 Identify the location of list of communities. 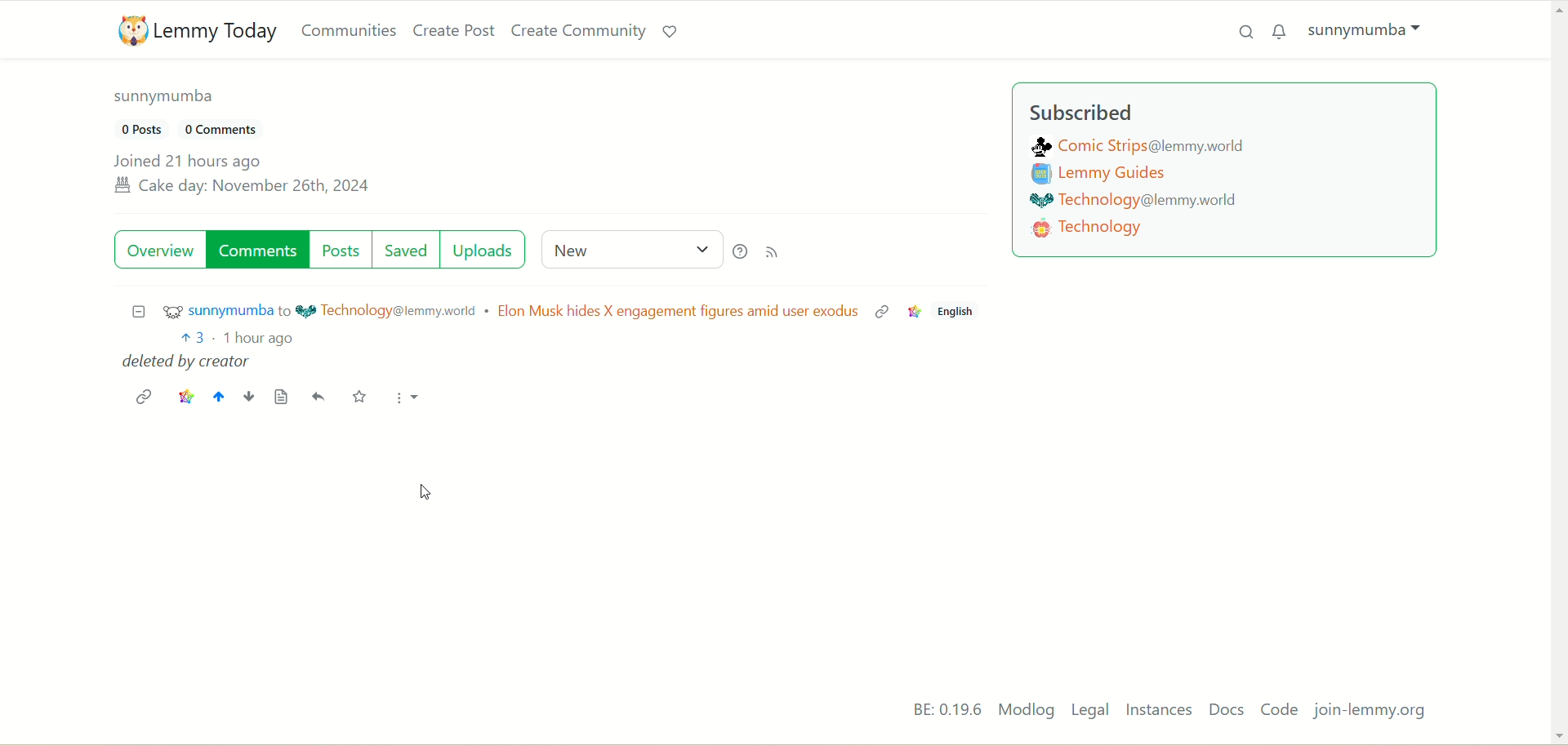
(1148, 197).